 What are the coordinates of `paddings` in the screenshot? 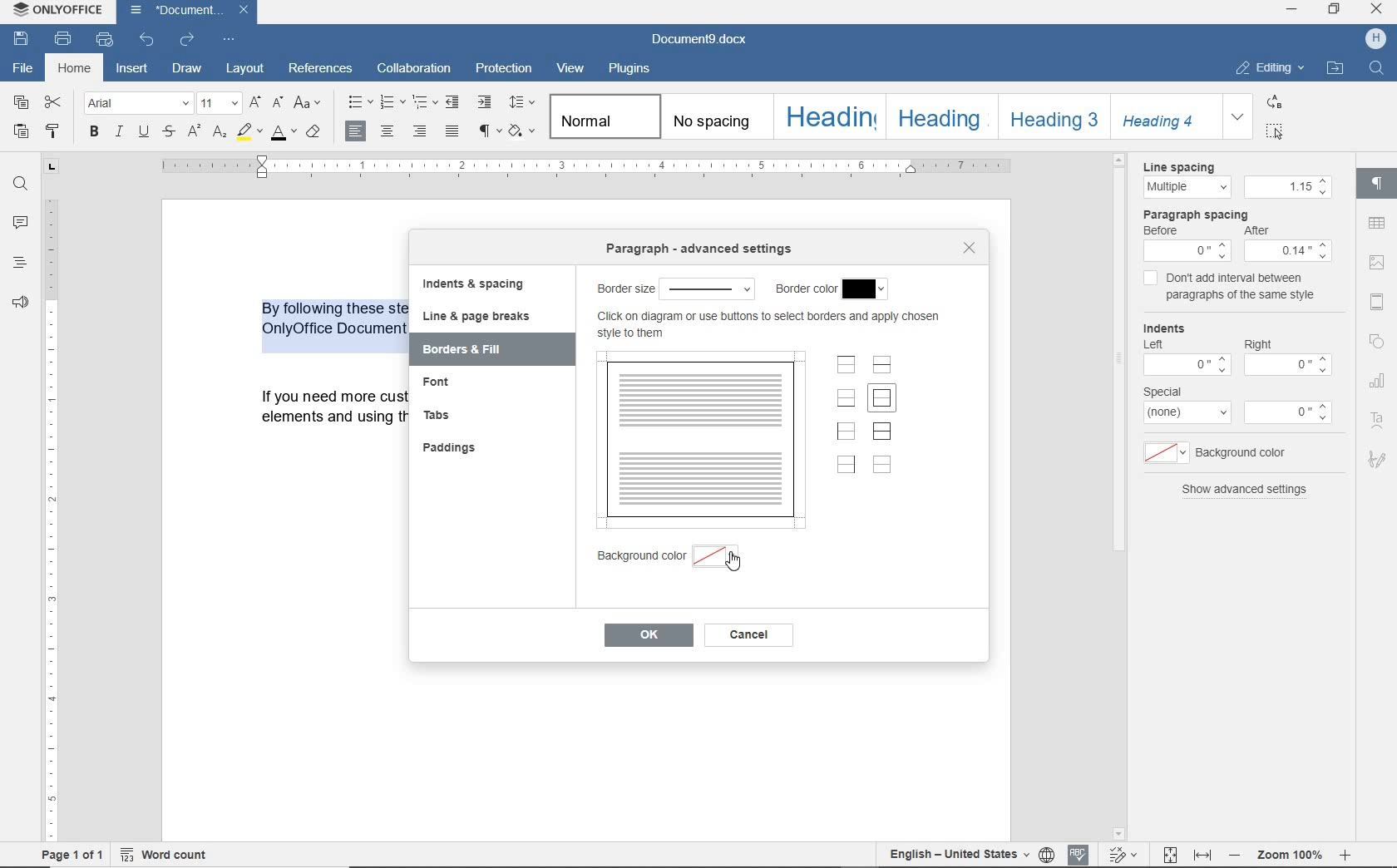 It's located at (454, 448).